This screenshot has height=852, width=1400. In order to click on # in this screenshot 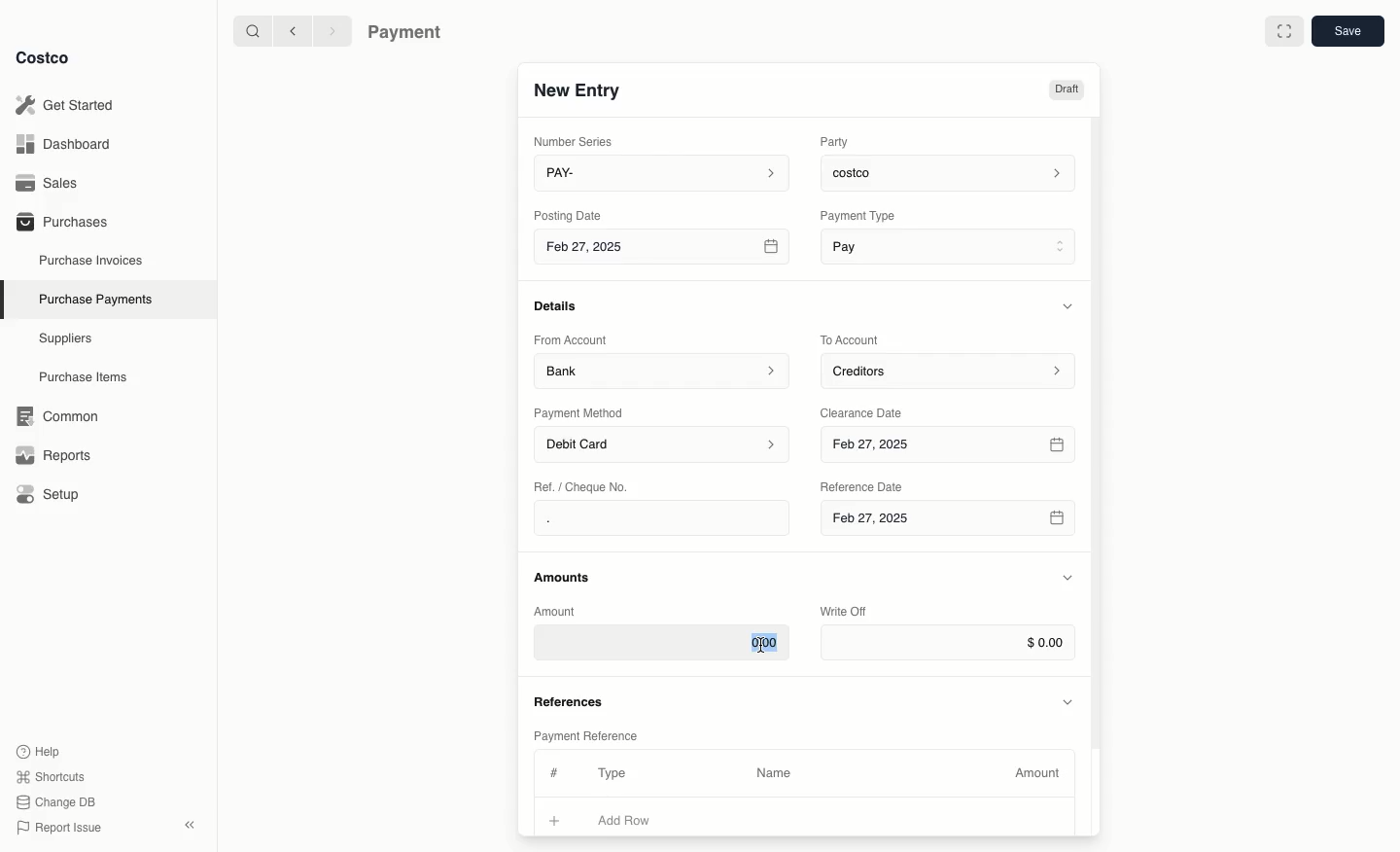, I will do `click(551, 770)`.